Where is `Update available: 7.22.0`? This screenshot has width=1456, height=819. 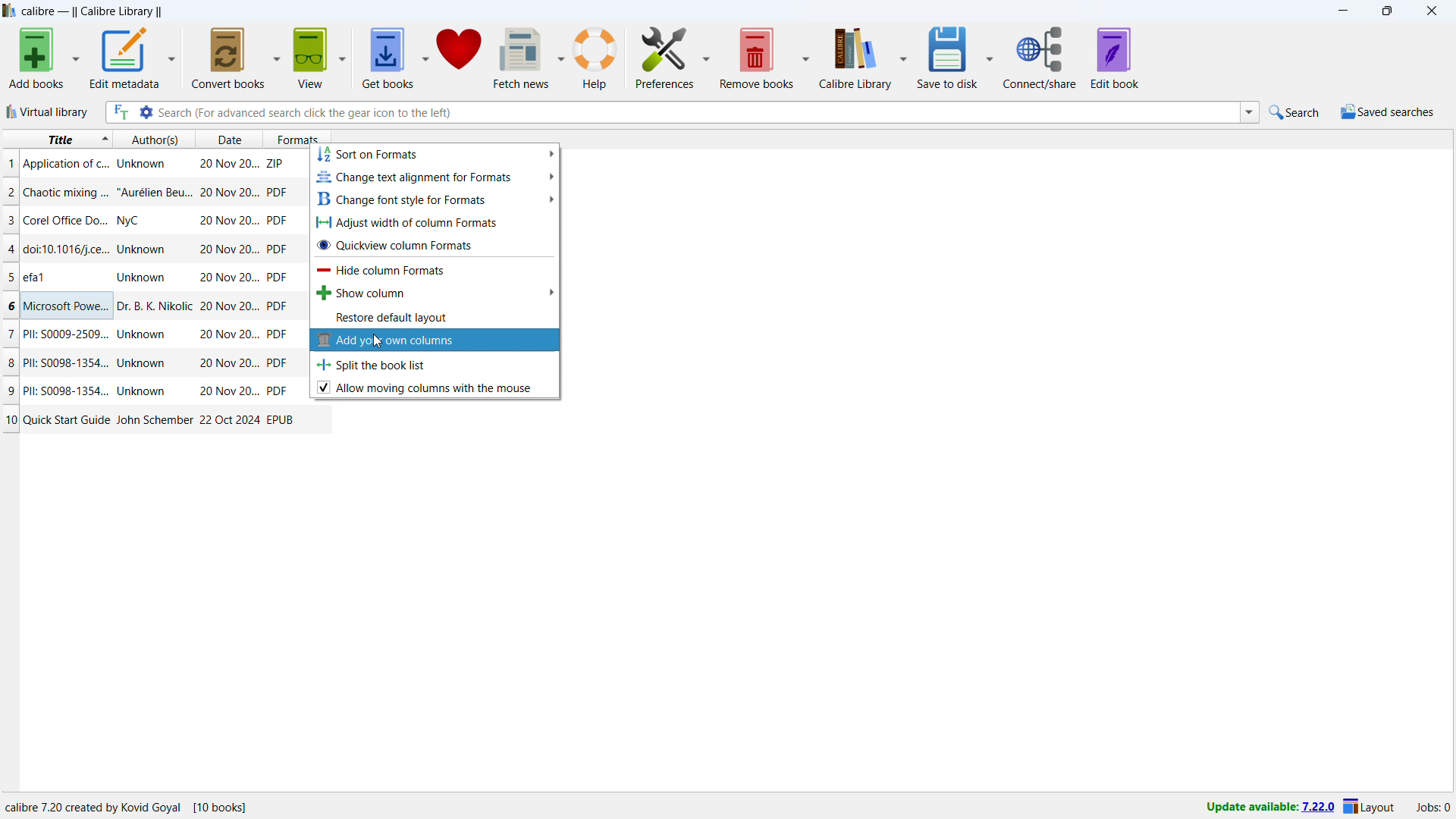
Update available: 7.22.0 is located at coordinates (1266, 805).